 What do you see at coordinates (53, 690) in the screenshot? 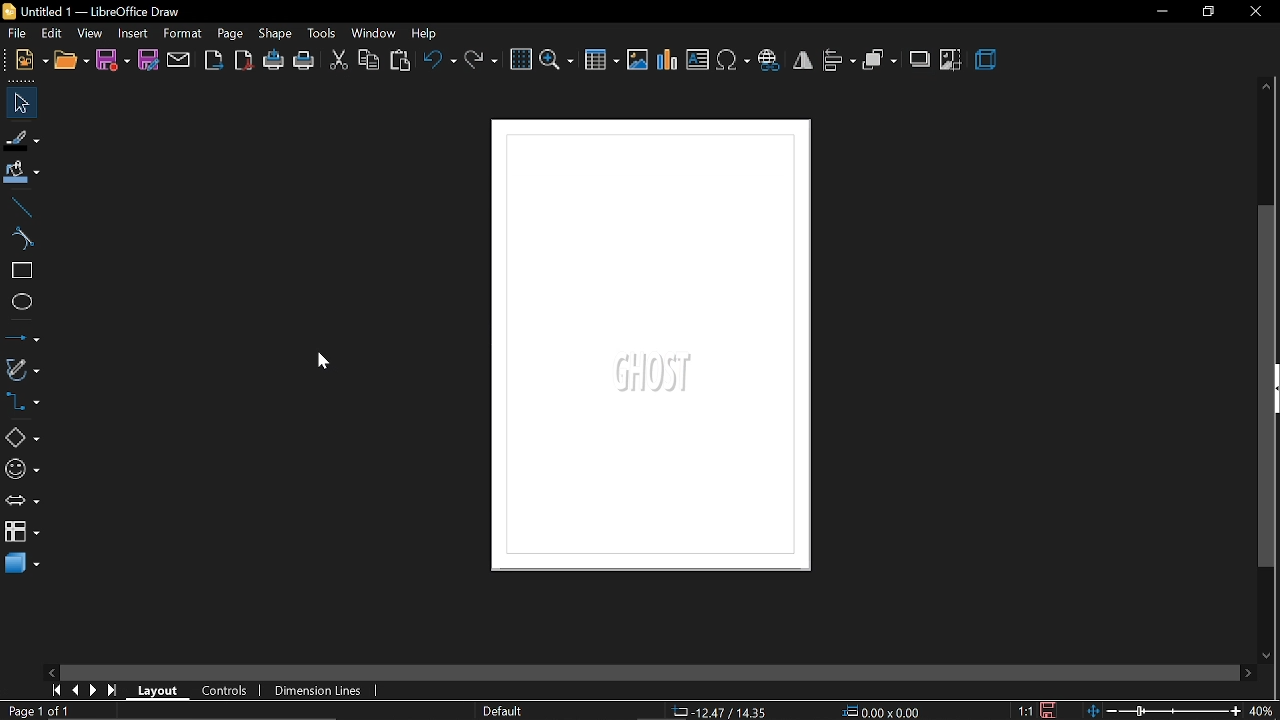
I see `go to first page` at bounding box center [53, 690].